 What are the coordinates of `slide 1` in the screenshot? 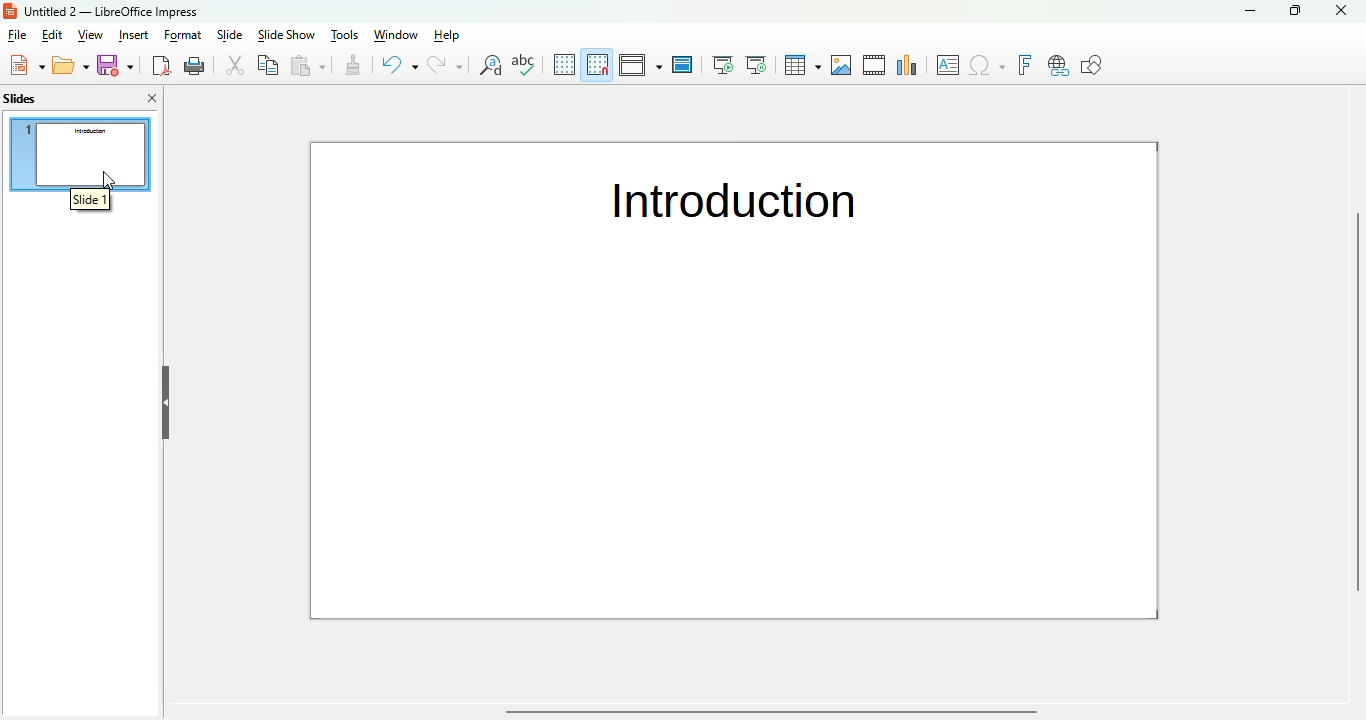 It's located at (92, 199).